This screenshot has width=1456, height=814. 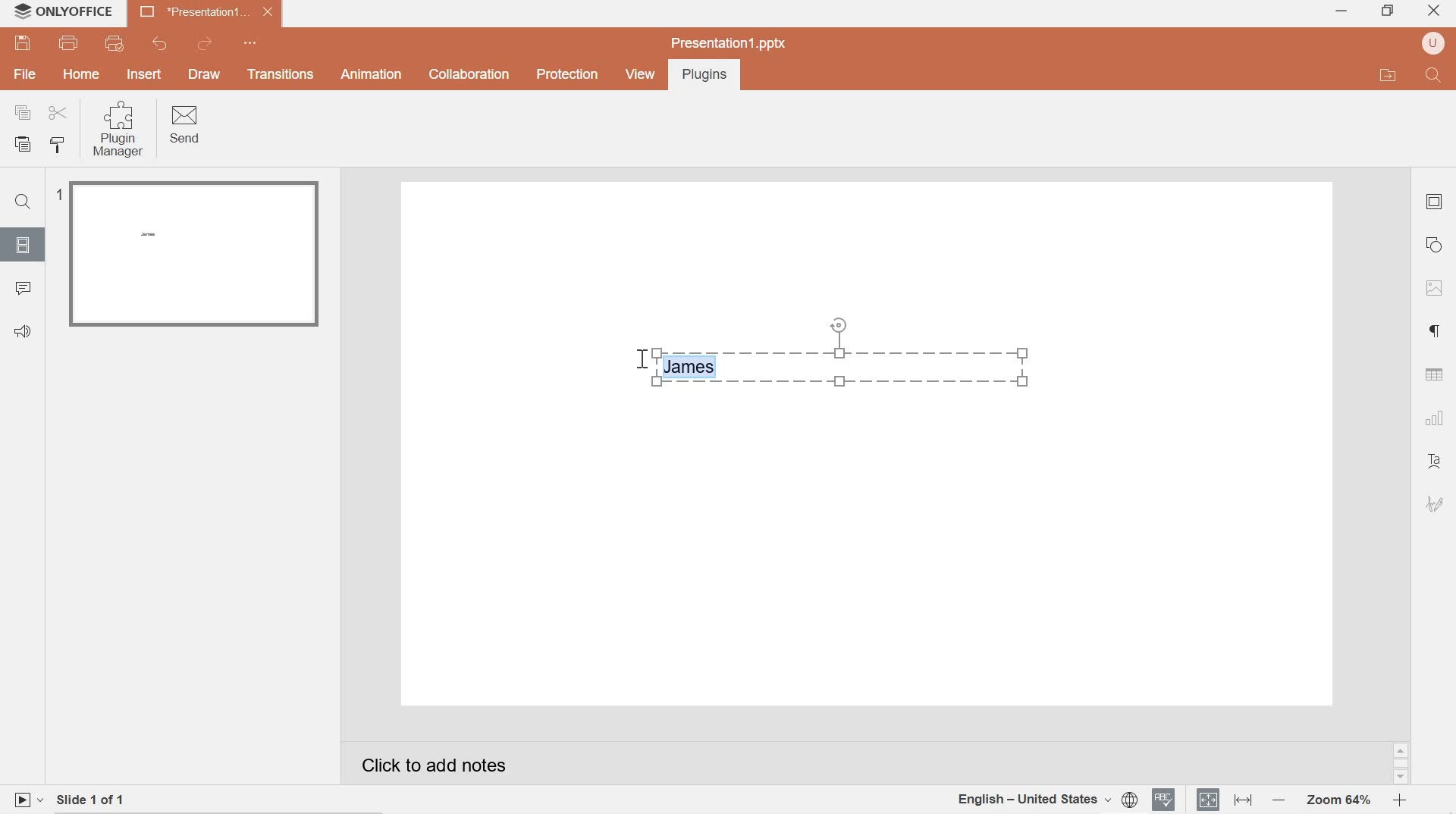 I want to click on chart, so click(x=1434, y=418).